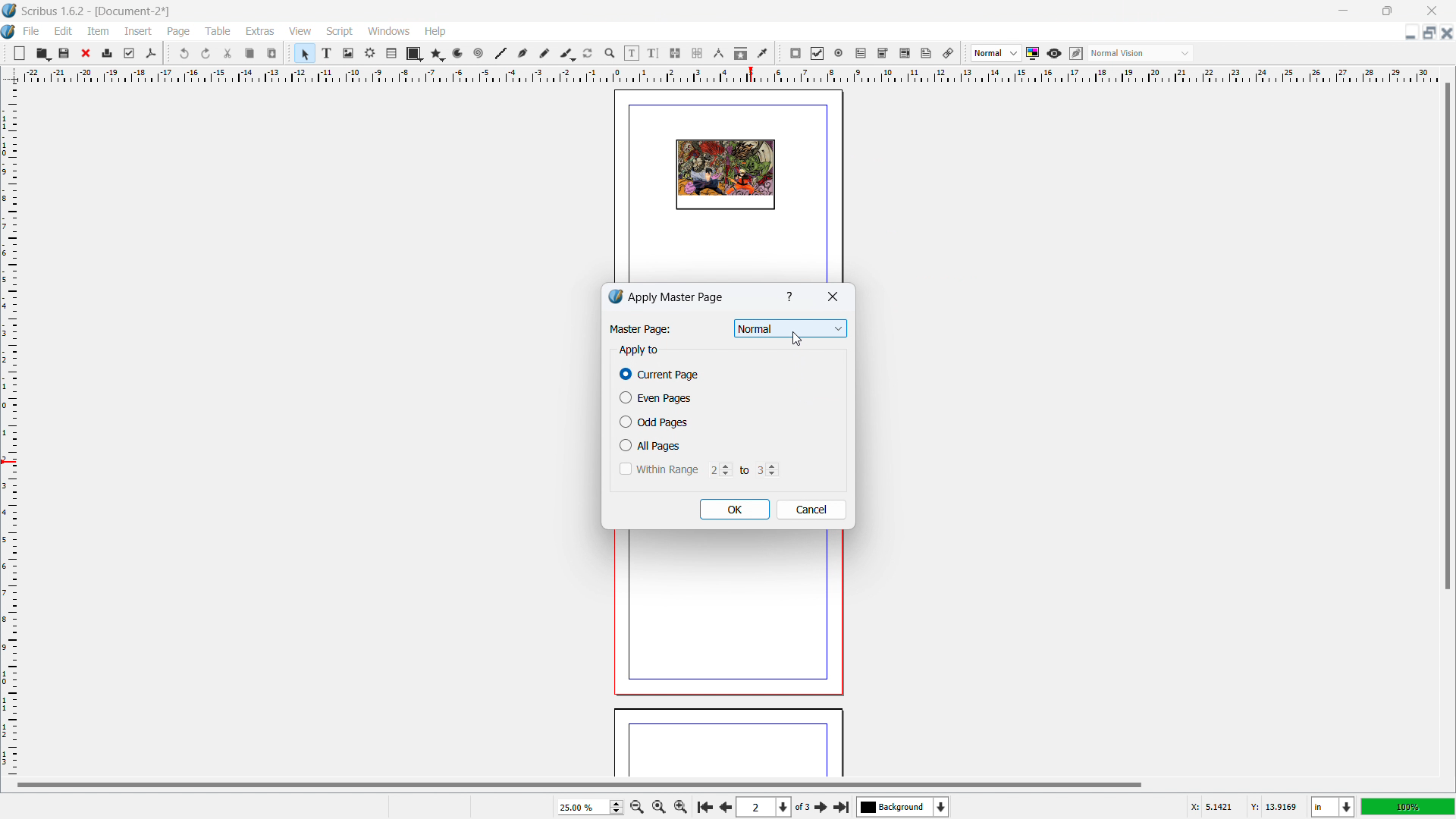 This screenshot has height=819, width=1456. Describe the element at coordinates (780, 54) in the screenshot. I see `move toolbox` at that location.